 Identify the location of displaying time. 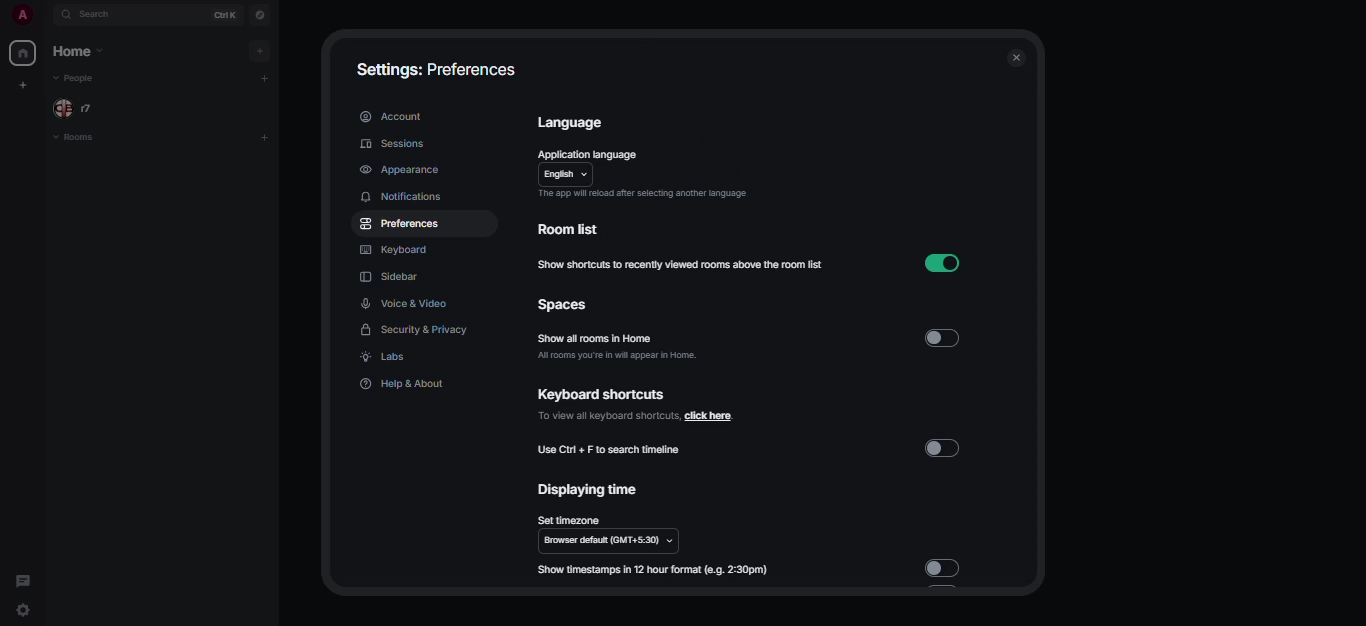
(593, 489).